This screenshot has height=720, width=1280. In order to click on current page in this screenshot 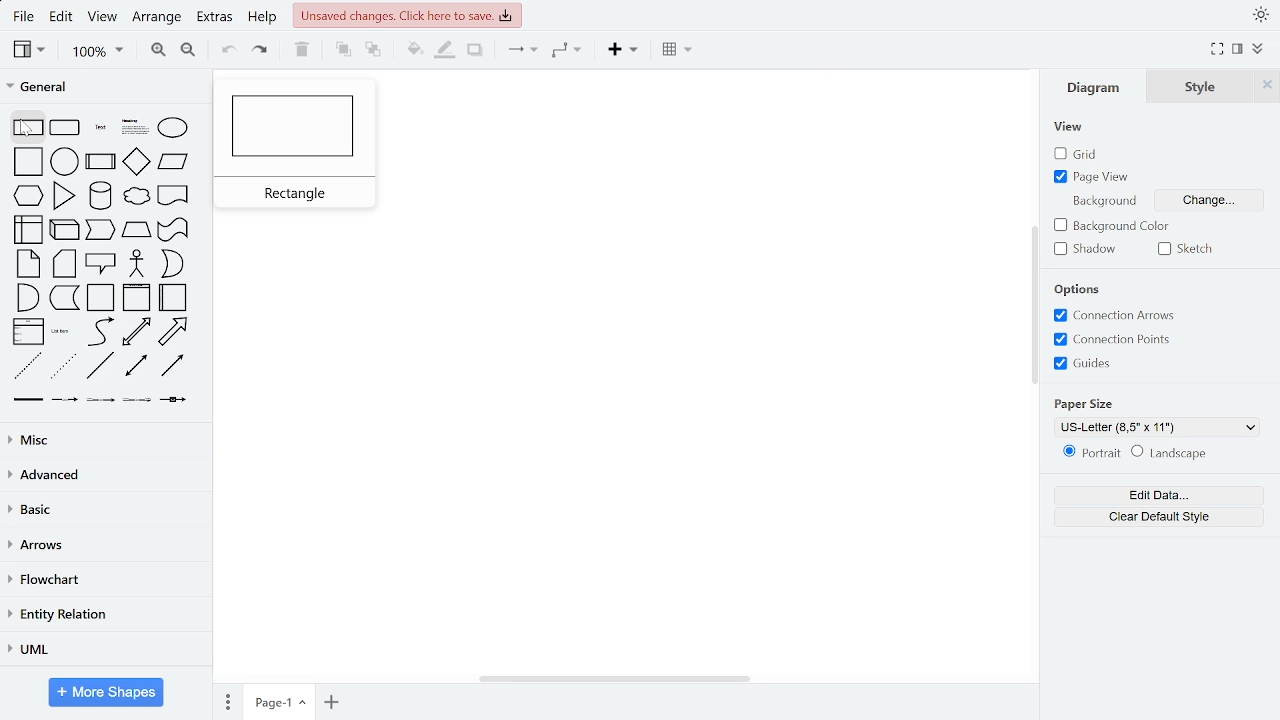, I will do `click(281, 703)`.